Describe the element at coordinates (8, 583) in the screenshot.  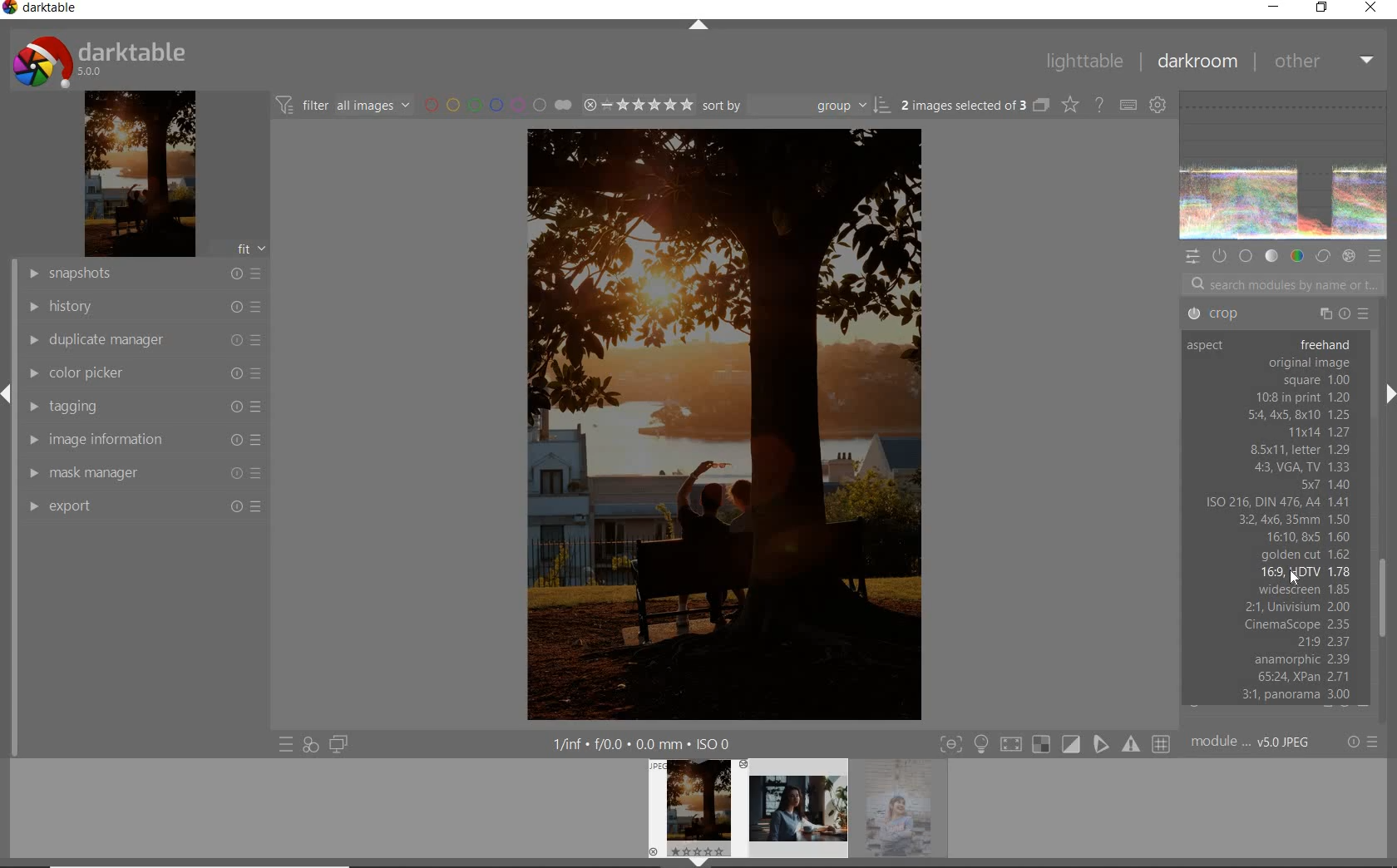
I see `vertical scroll bar` at that location.